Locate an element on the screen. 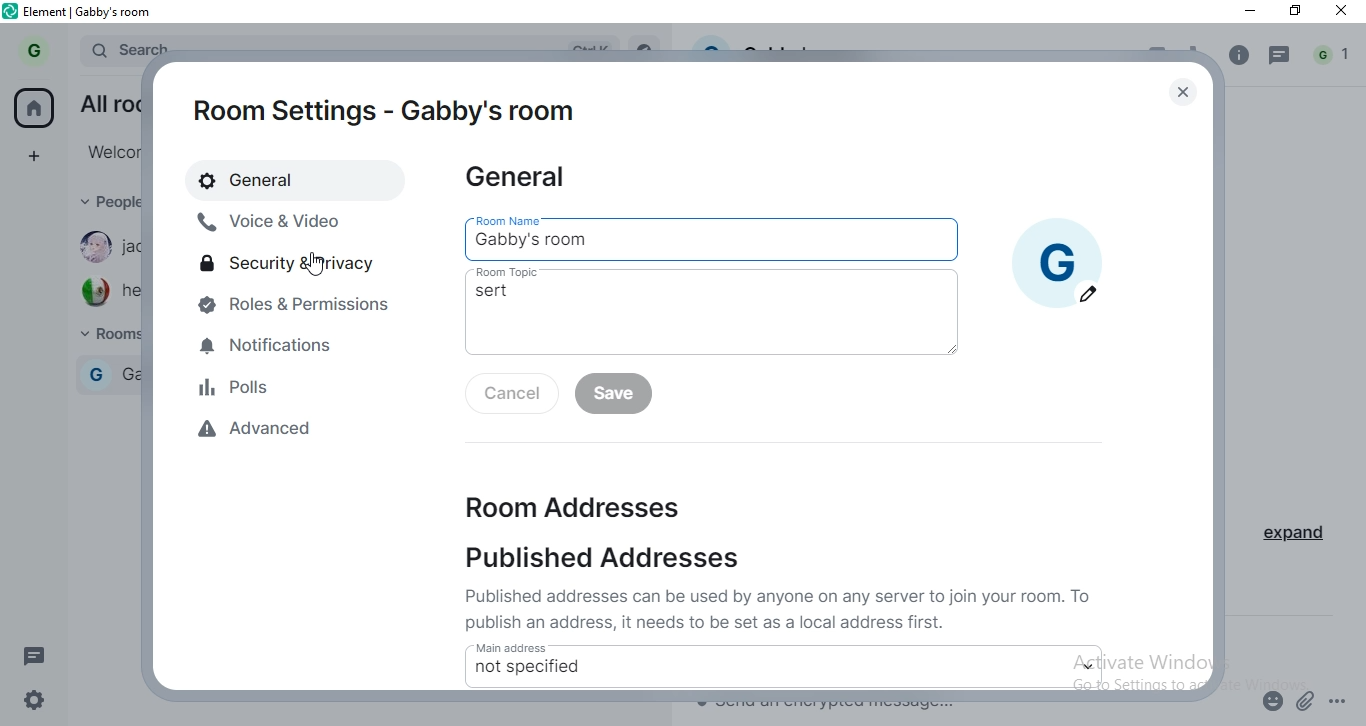 This screenshot has height=726, width=1366. polls is located at coordinates (279, 392).